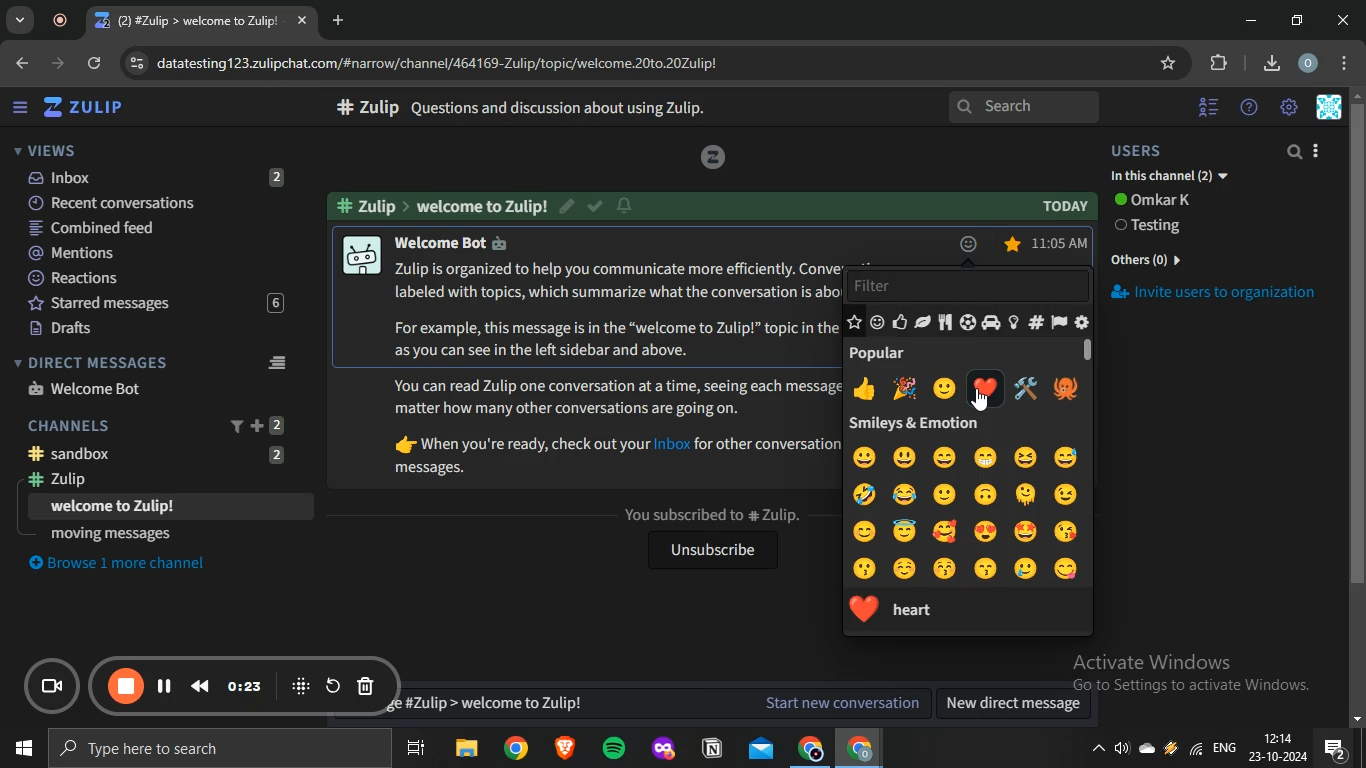 The image size is (1366, 768). What do you see at coordinates (709, 552) in the screenshot?
I see `unsubscribe` at bounding box center [709, 552].